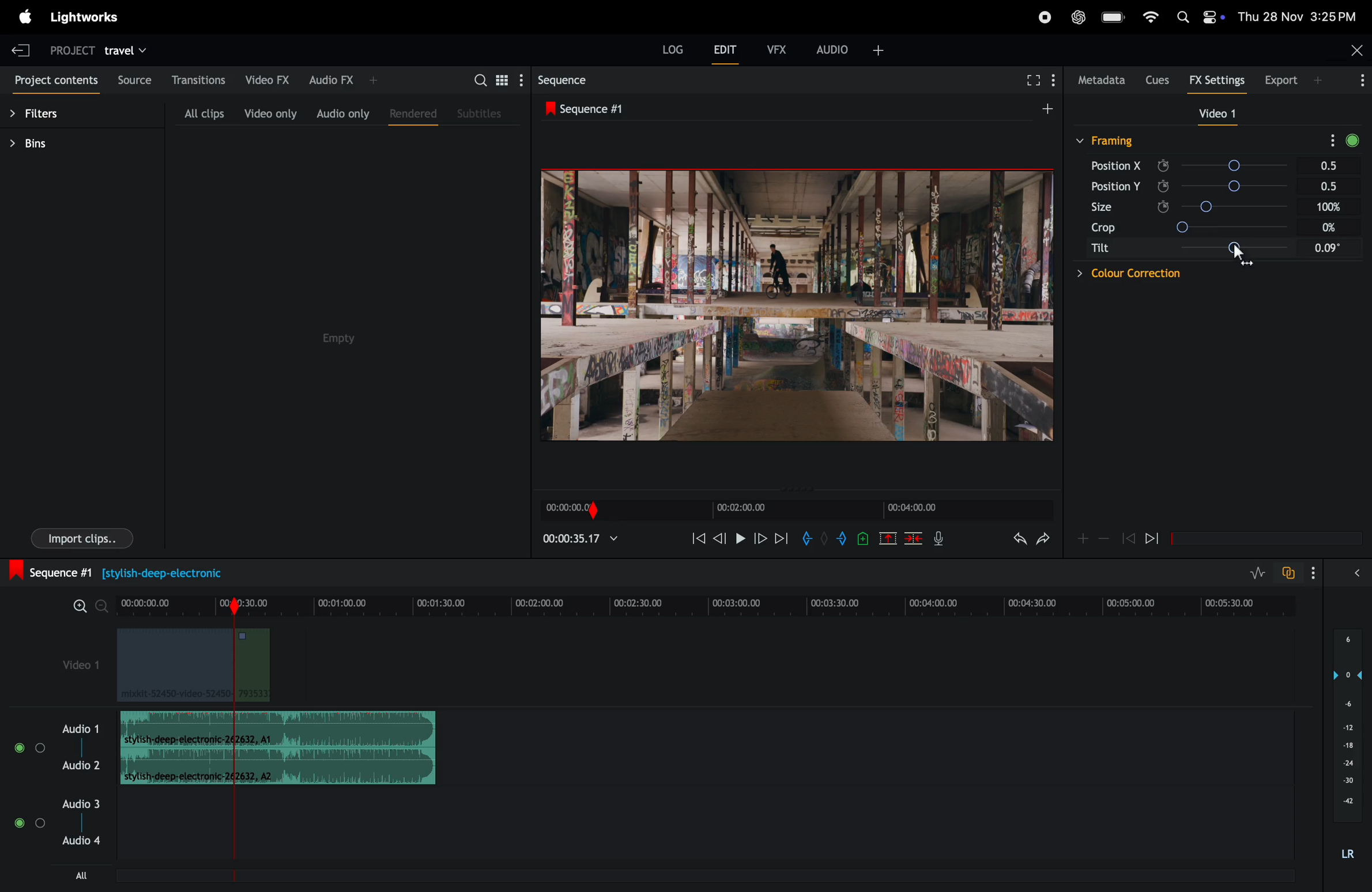  Describe the element at coordinates (722, 50) in the screenshot. I see `edit` at that location.